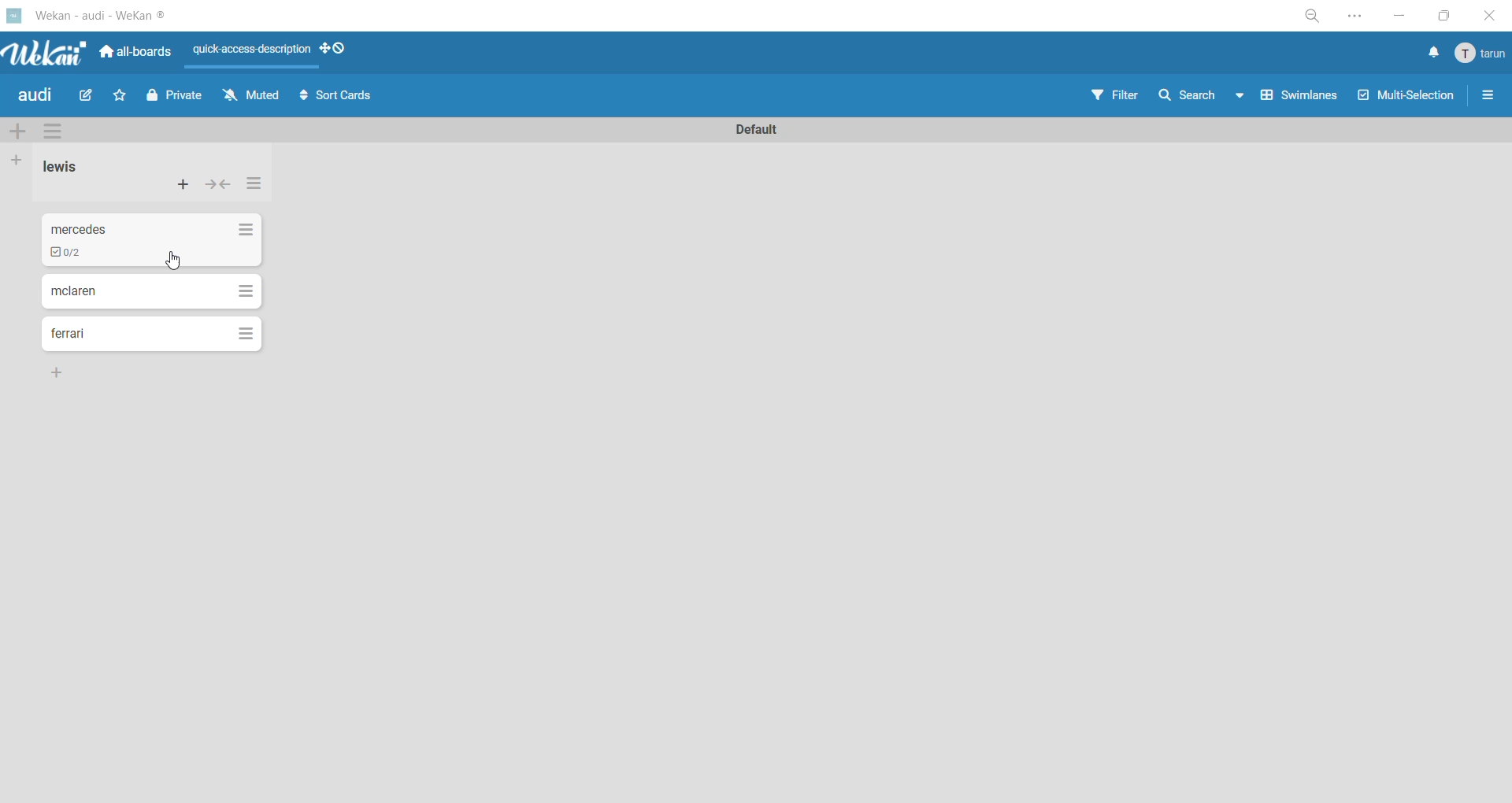 Image resolution: width=1512 pixels, height=803 pixels. Describe the element at coordinates (176, 98) in the screenshot. I see `private` at that location.